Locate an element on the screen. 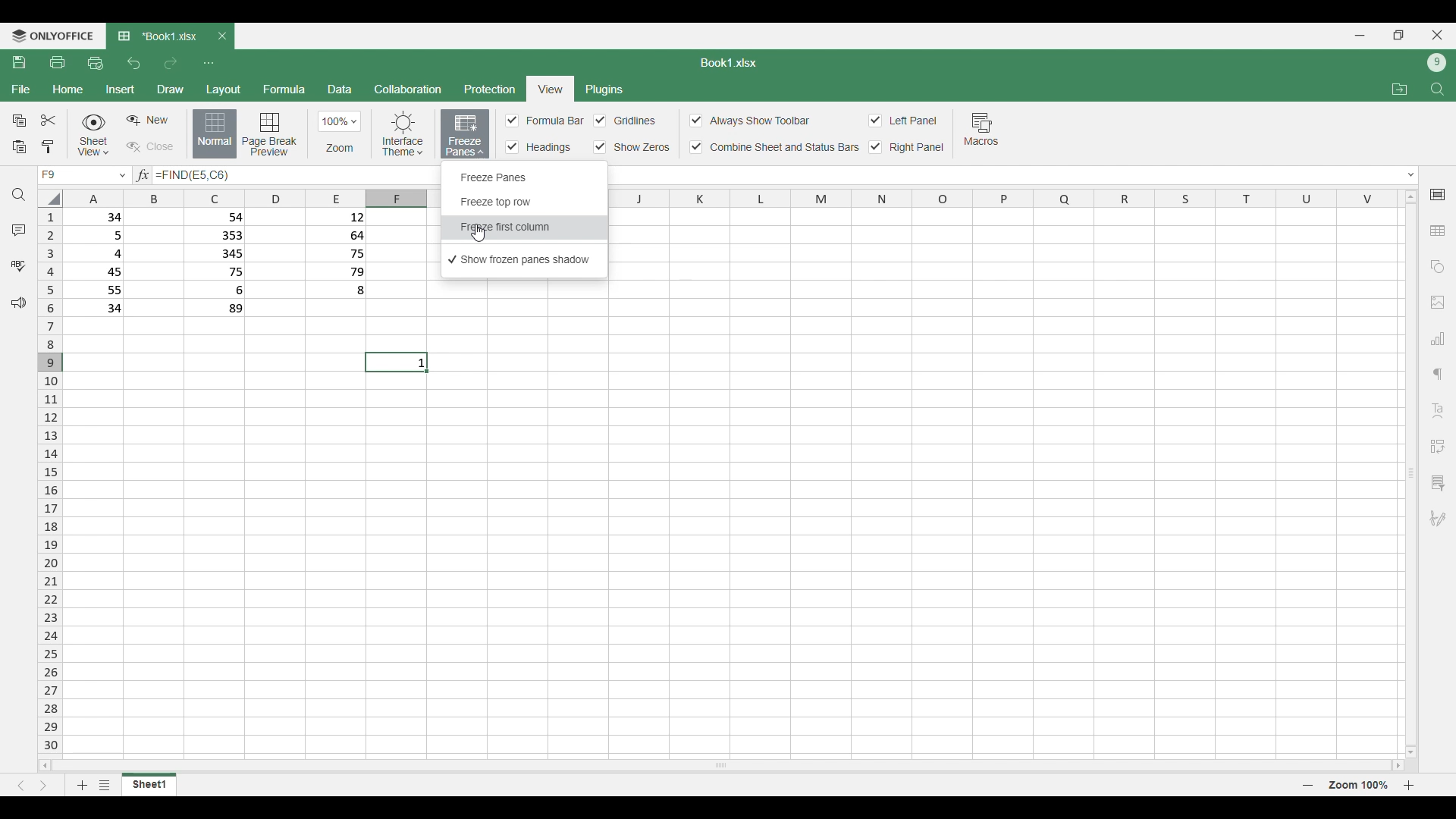 The width and height of the screenshot is (1456, 819). Feedback and support is located at coordinates (17, 304).